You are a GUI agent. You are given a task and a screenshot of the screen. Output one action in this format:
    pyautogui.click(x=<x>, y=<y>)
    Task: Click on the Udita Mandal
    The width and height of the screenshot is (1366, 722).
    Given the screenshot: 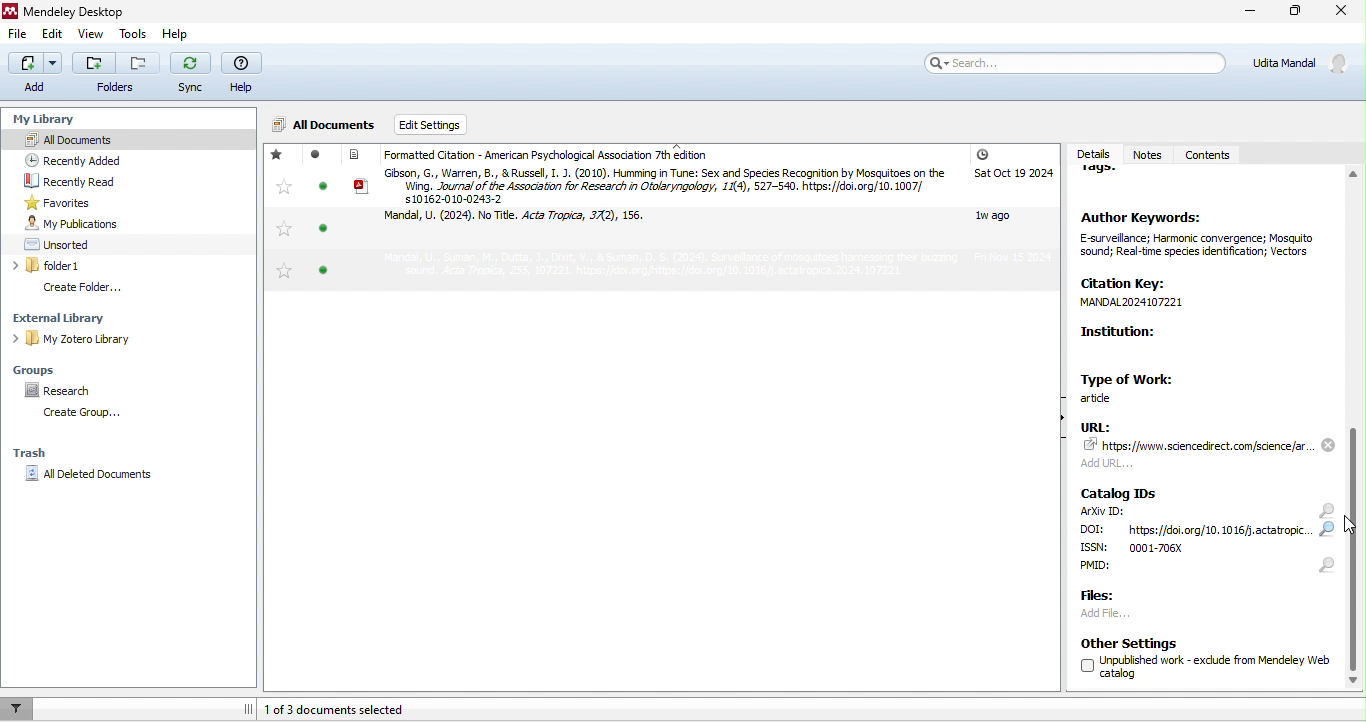 What is the action you would take?
    pyautogui.click(x=1305, y=63)
    